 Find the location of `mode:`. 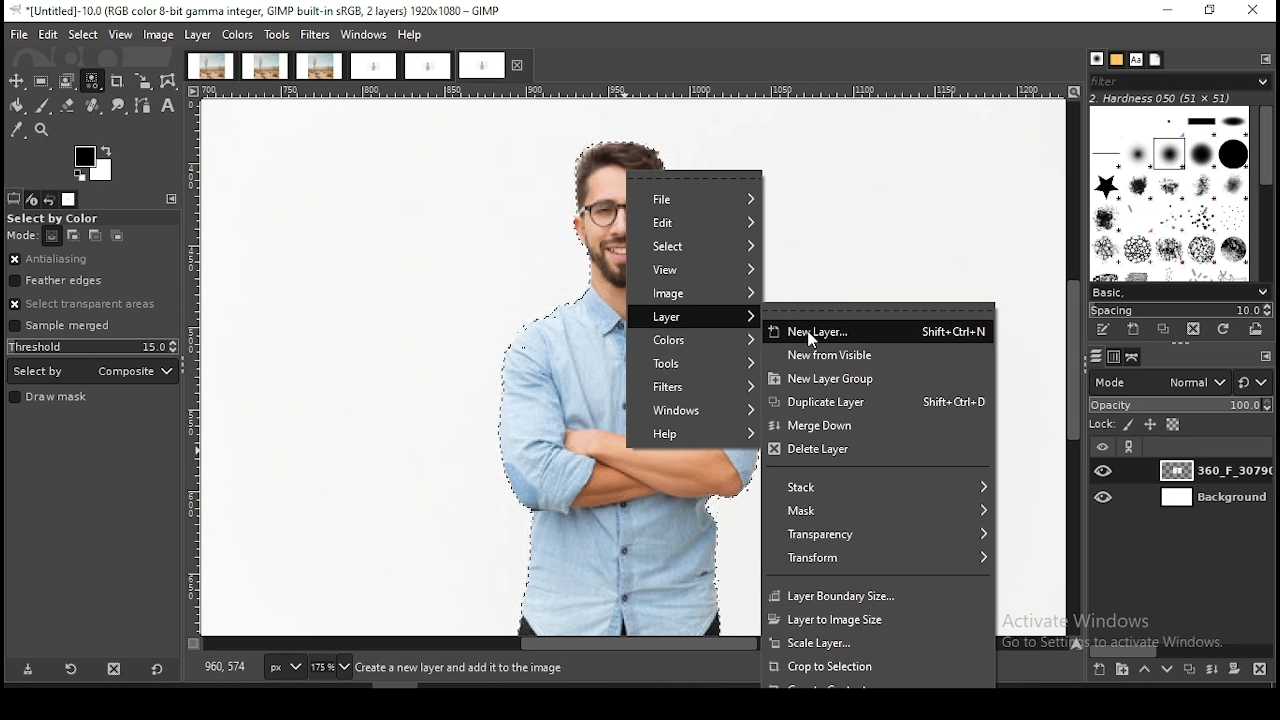

mode: is located at coordinates (23, 236).